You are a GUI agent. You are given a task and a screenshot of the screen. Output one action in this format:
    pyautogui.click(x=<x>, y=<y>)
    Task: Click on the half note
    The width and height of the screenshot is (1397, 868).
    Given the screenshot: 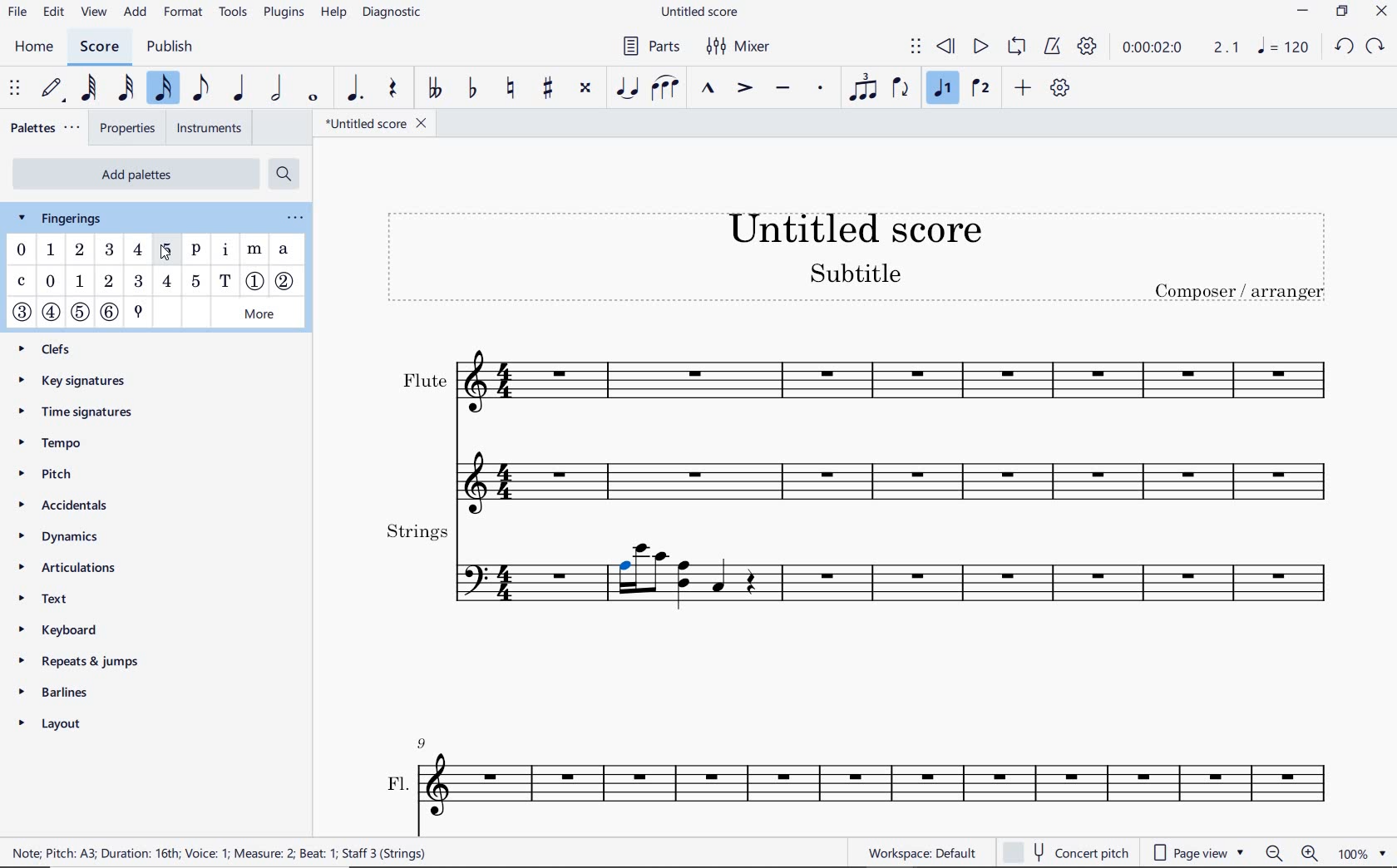 What is the action you would take?
    pyautogui.click(x=278, y=88)
    